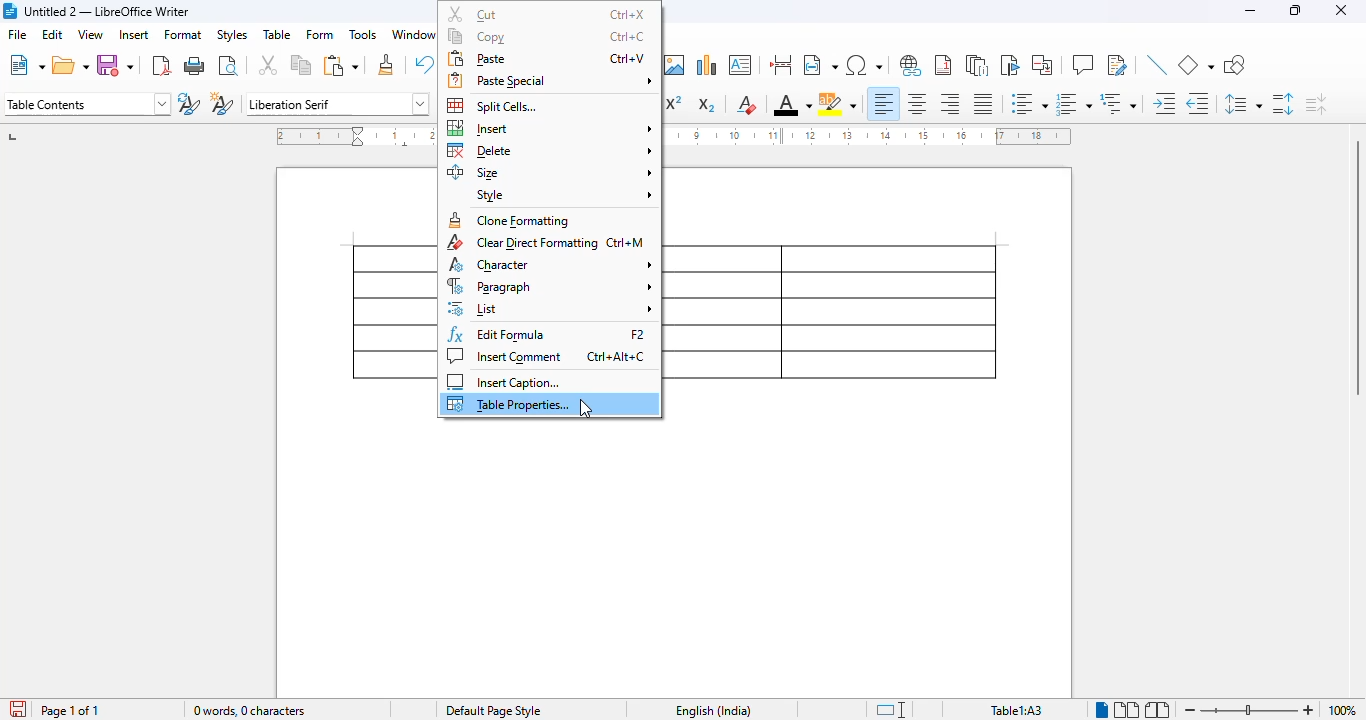  Describe the element at coordinates (1017, 710) in the screenshot. I see `table1:A1` at that location.